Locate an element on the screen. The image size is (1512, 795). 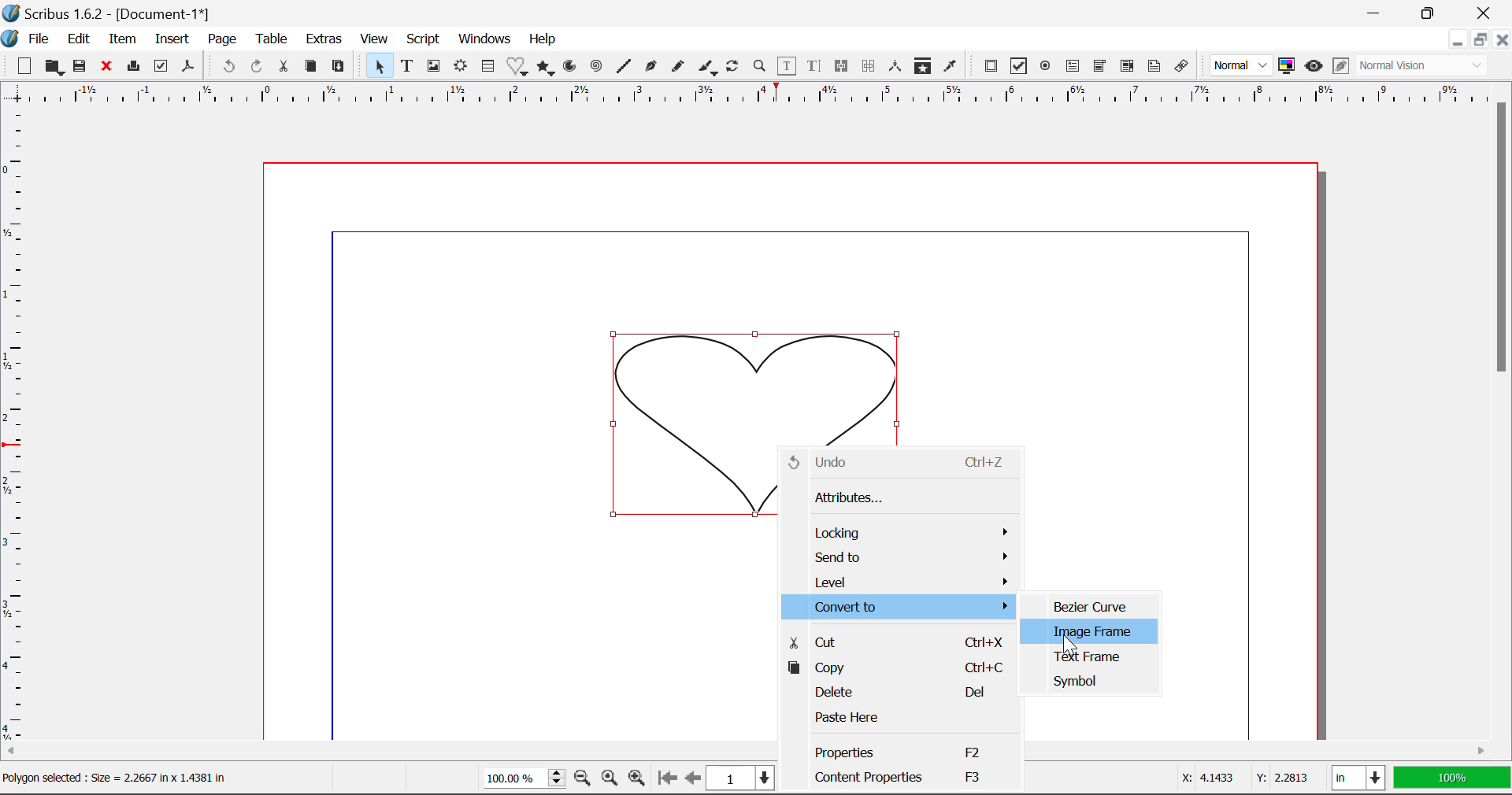
Image Frames is located at coordinates (433, 66).